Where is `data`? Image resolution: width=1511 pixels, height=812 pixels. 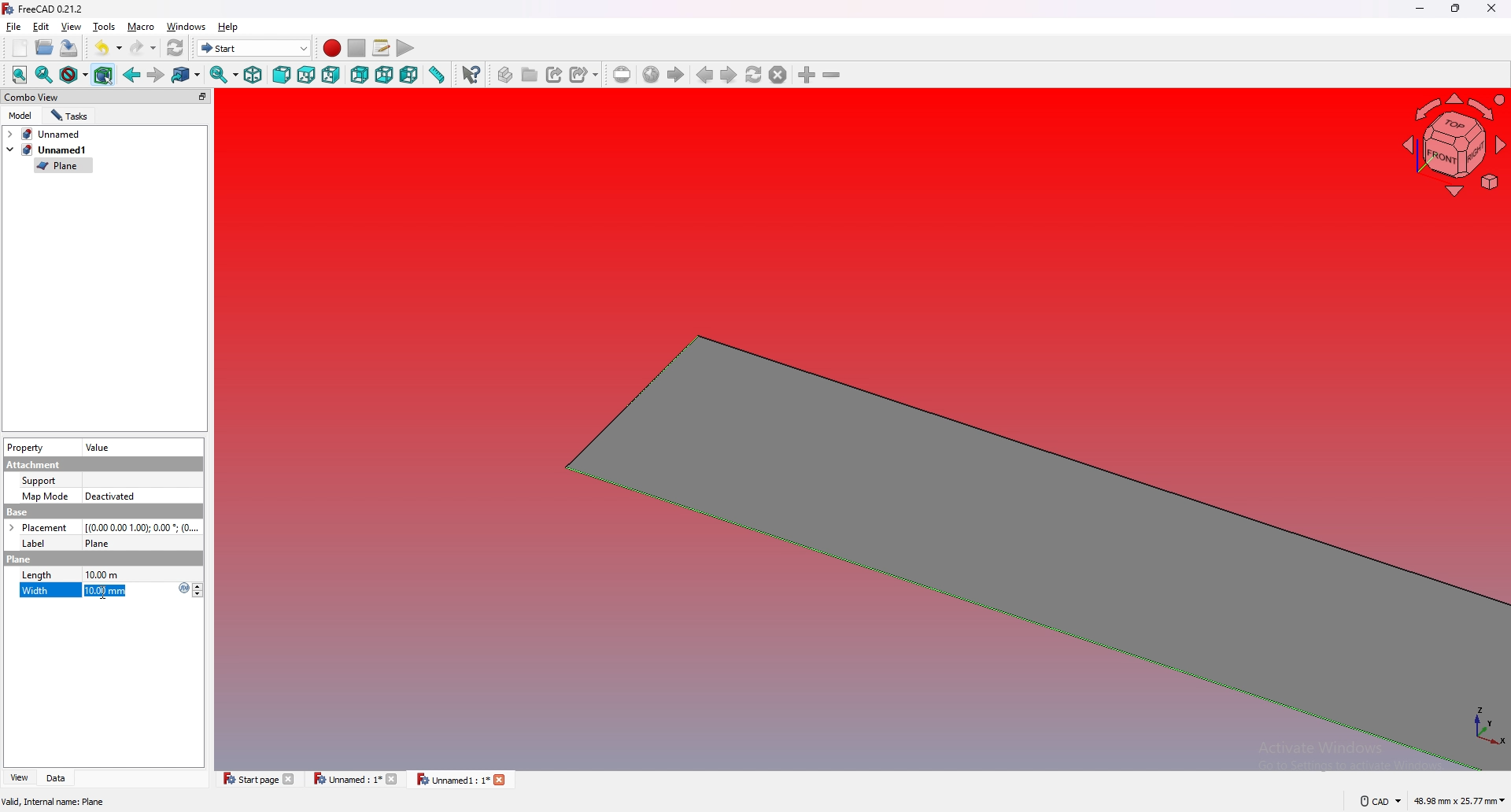
data is located at coordinates (59, 778).